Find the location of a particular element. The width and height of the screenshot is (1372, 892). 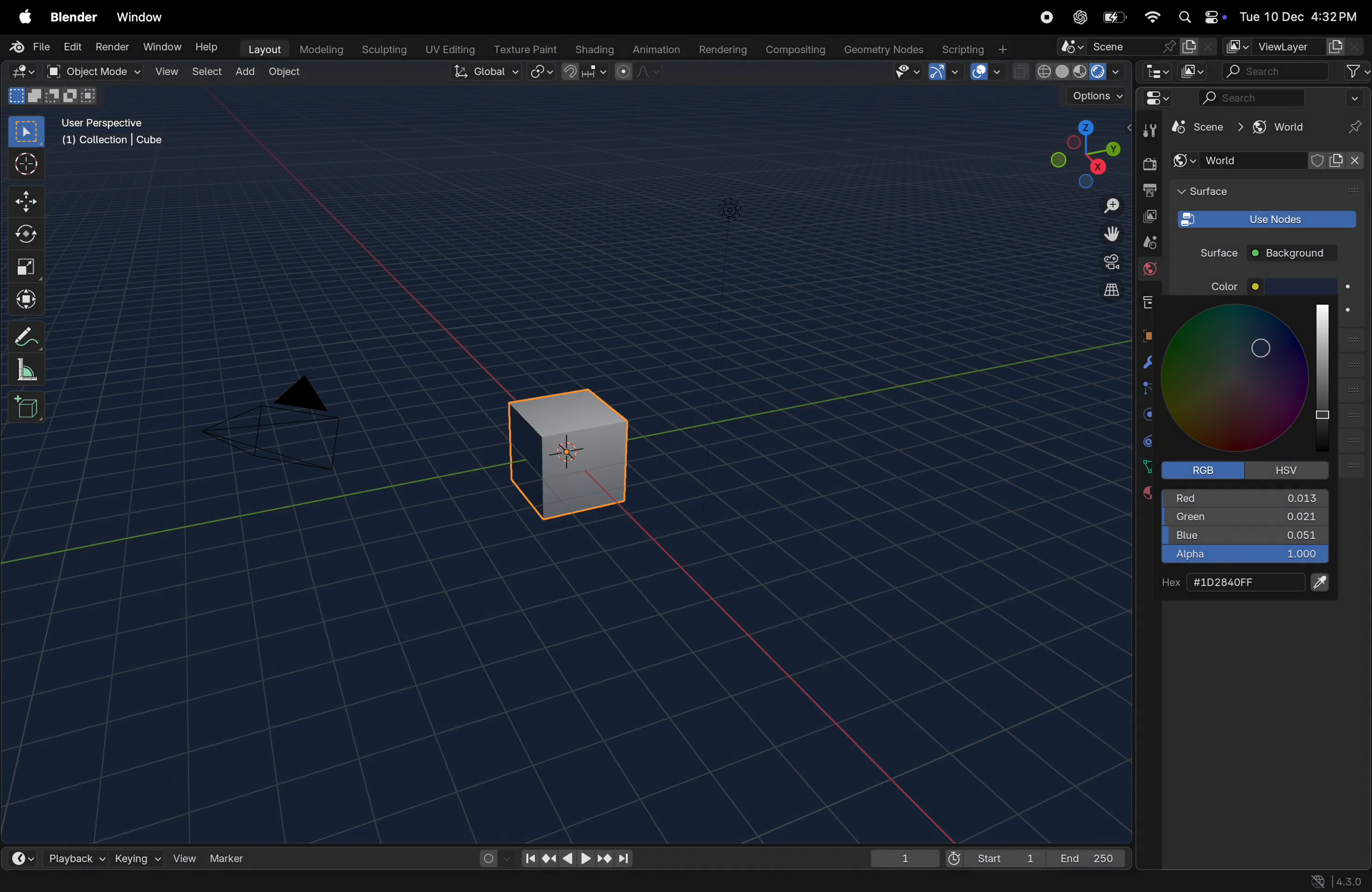

color wheel is located at coordinates (1250, 380).